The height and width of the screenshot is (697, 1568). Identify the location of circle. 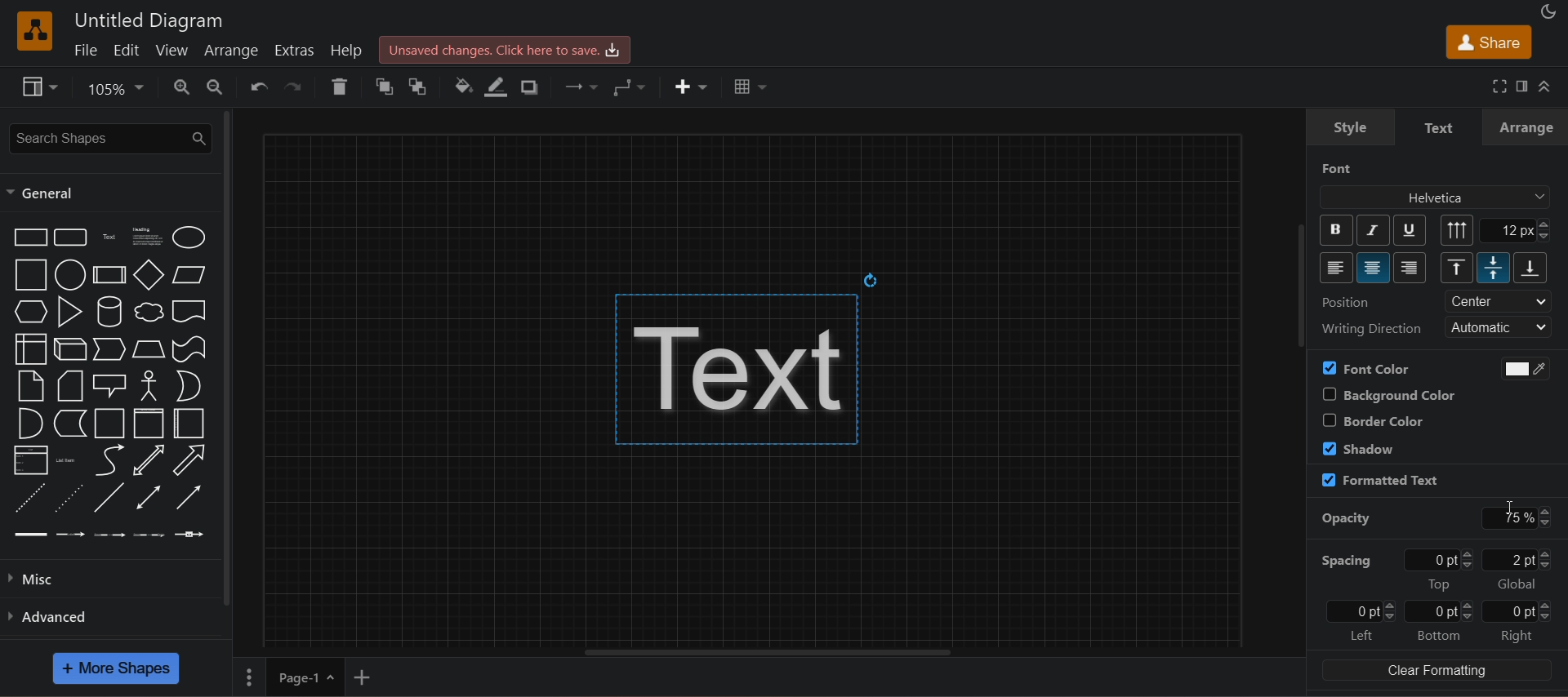
(71, 275).